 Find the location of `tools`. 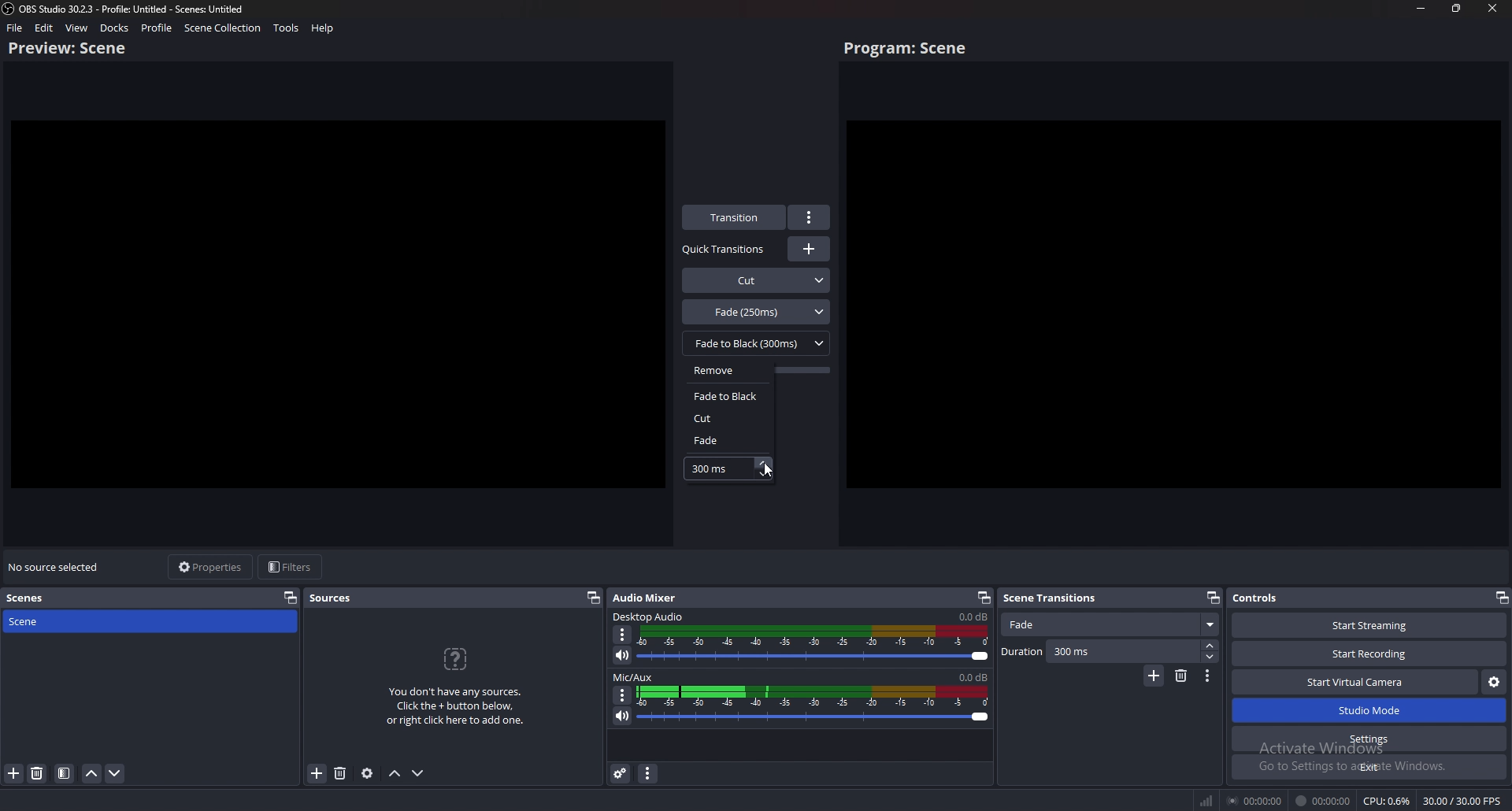

tools is located at coordinates (286, 28).